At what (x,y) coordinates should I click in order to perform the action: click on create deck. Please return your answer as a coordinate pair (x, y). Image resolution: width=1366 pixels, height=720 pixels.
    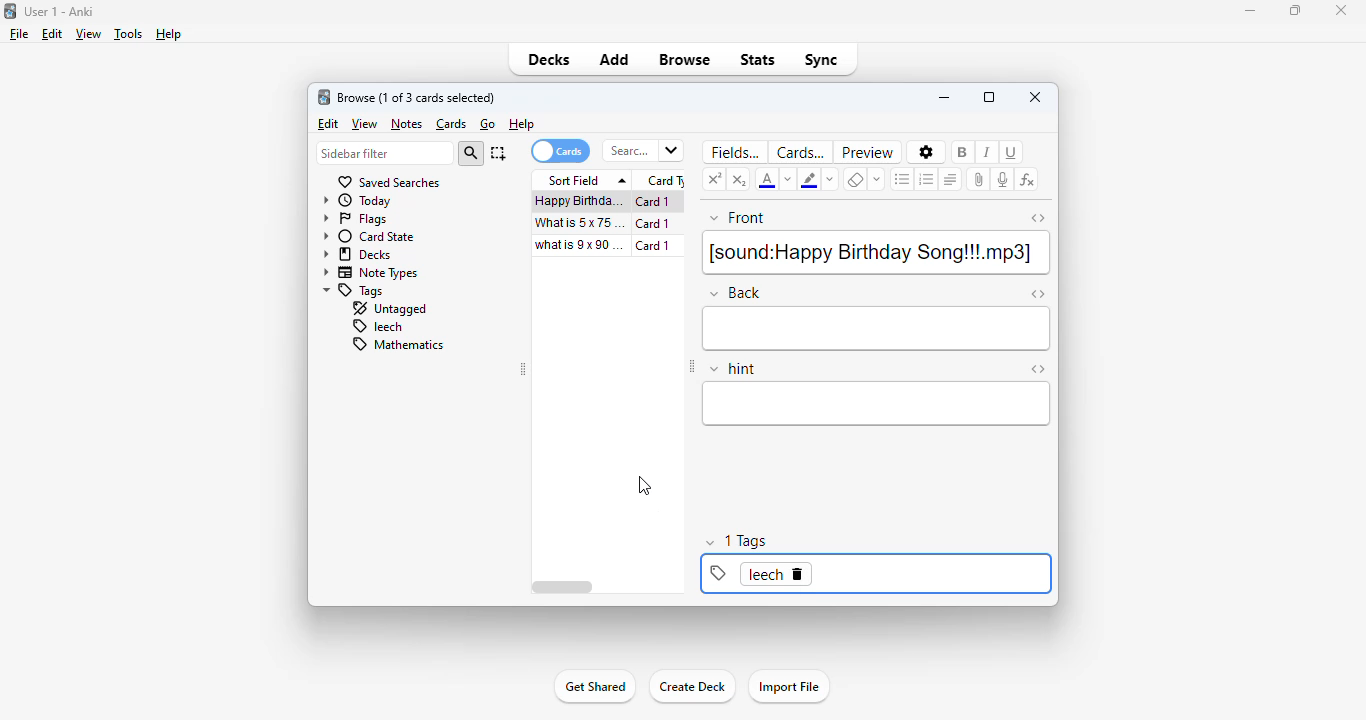
    Looking at the image, I should click on (691, 687).